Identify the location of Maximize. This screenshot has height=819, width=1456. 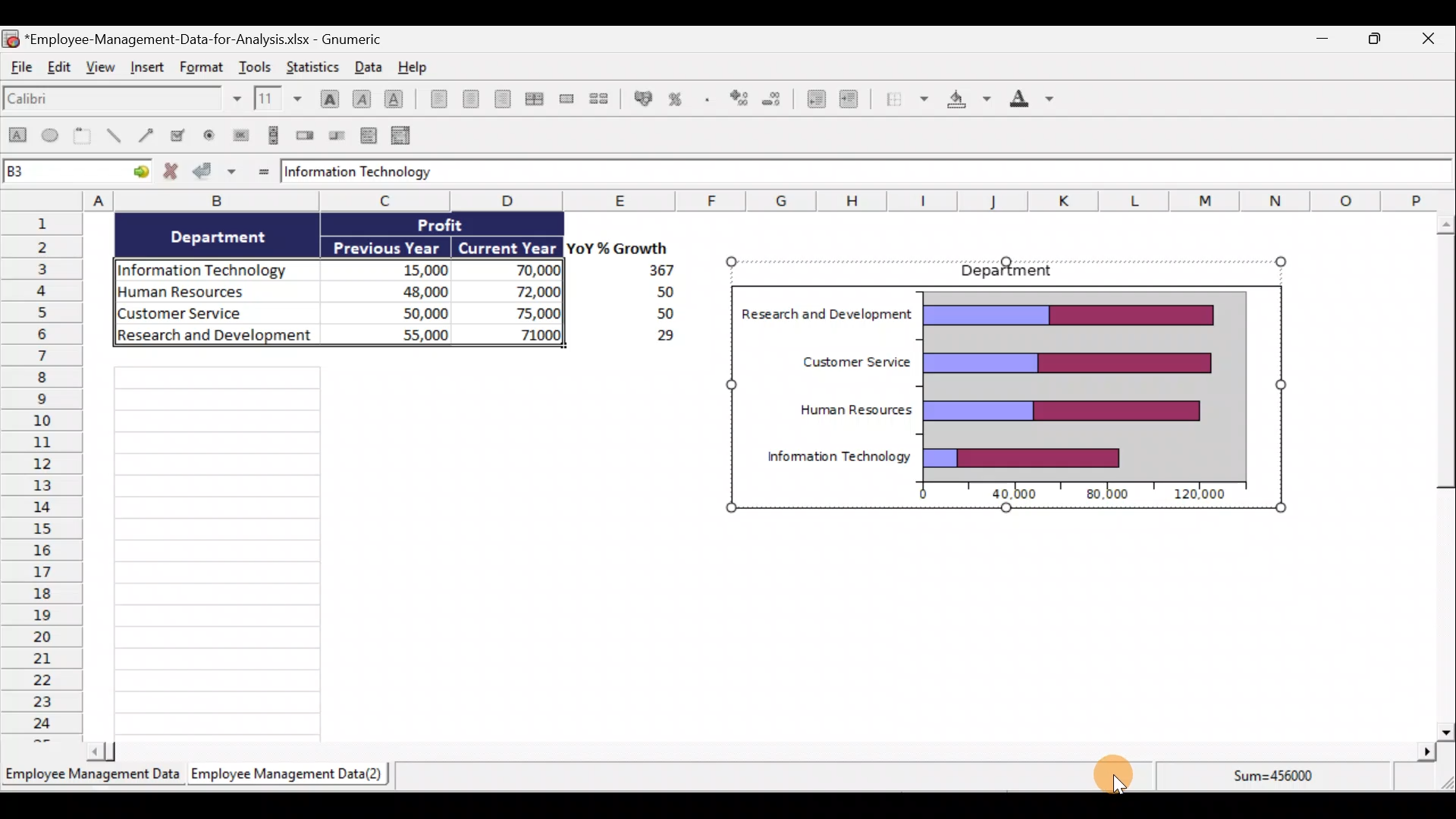
(1382, 41).